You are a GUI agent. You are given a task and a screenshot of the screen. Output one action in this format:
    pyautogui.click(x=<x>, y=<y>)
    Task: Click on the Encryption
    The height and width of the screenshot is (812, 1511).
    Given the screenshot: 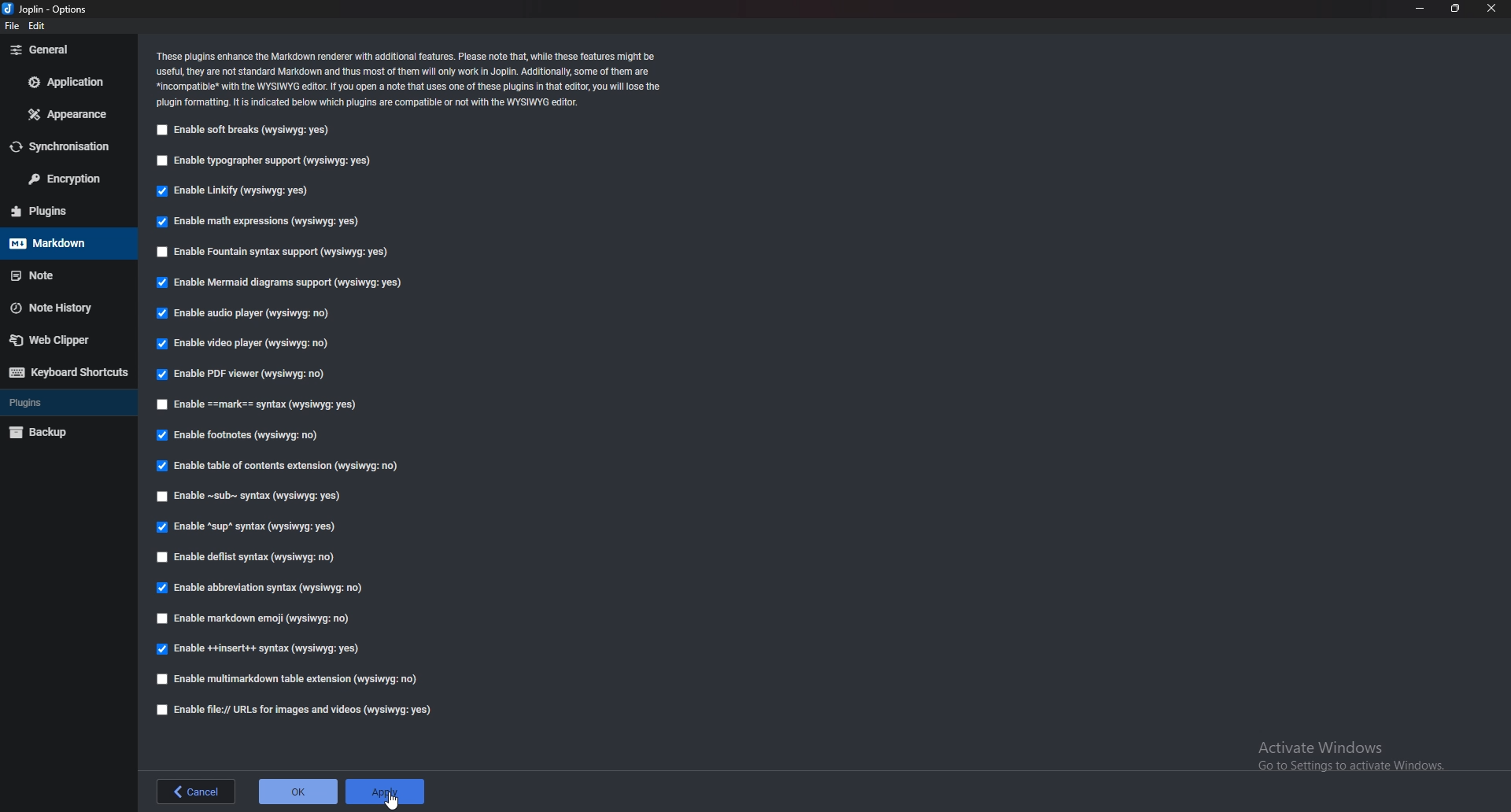 What is the action you would take?
    pyautogui.click(x=68, y=179)
    